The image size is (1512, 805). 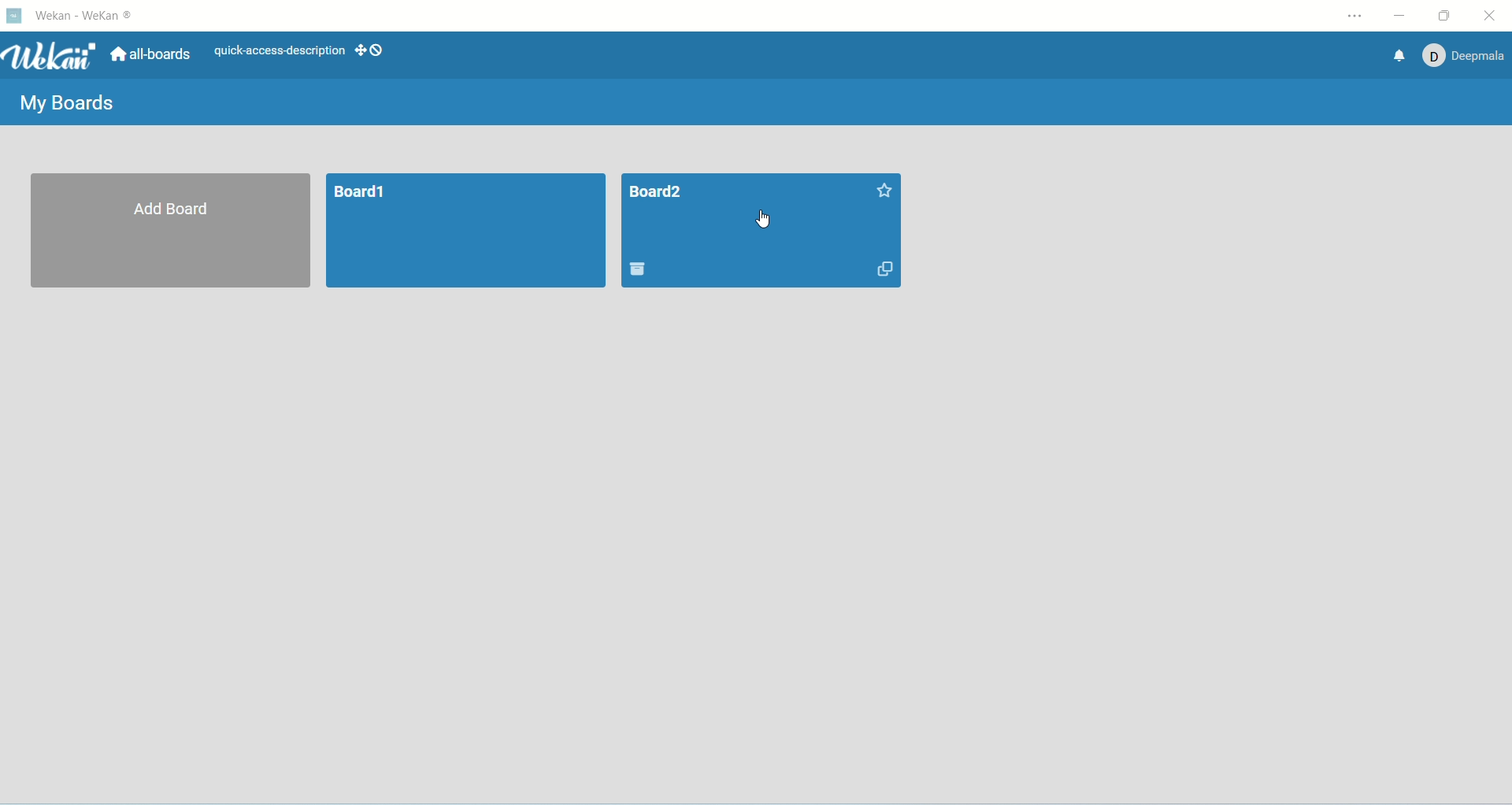 I want to click on cursor, so click(x=766, y=220).